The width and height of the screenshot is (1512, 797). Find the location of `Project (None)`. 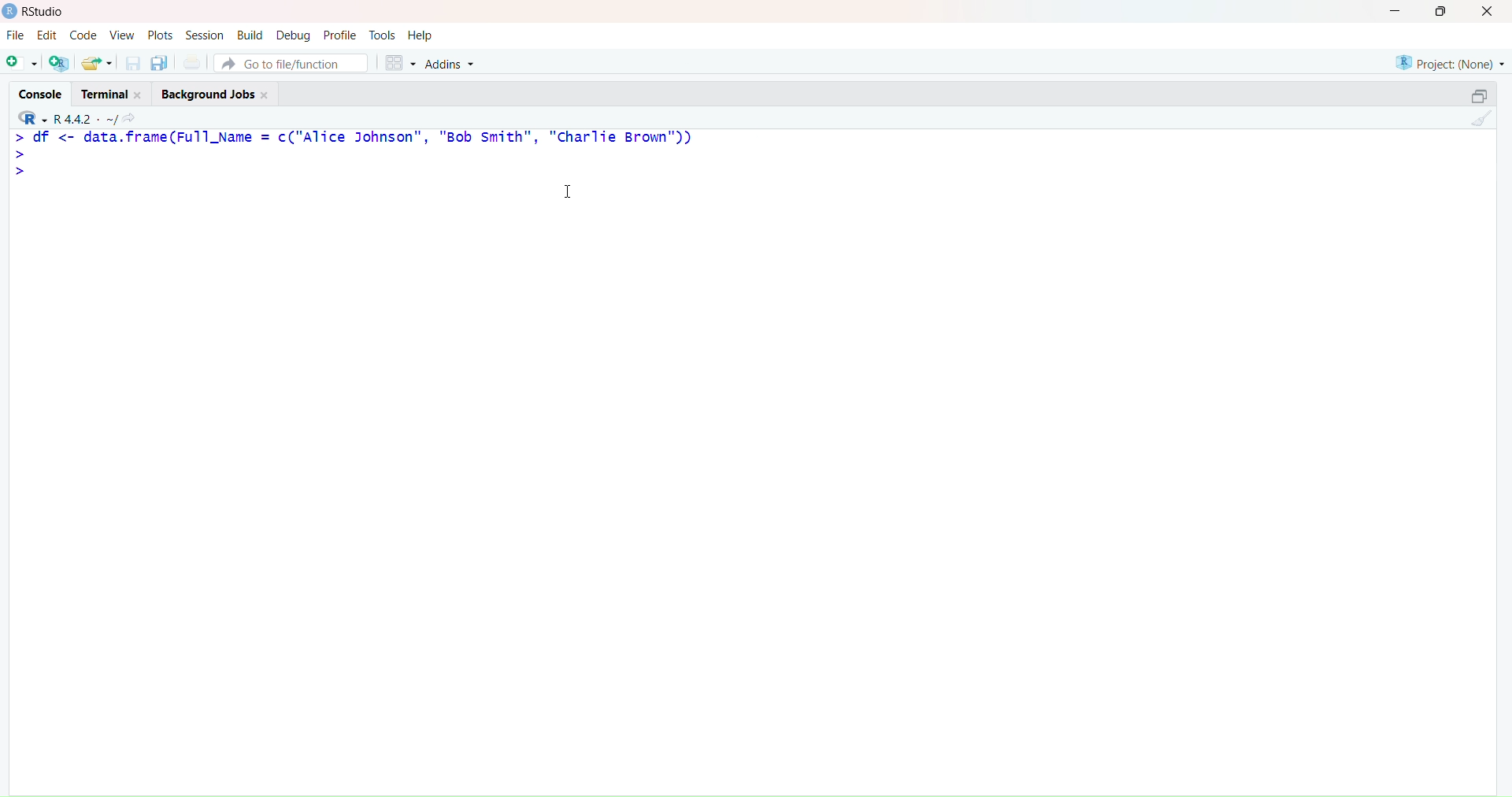

Project (None) is located at coordinates (1449, 57).